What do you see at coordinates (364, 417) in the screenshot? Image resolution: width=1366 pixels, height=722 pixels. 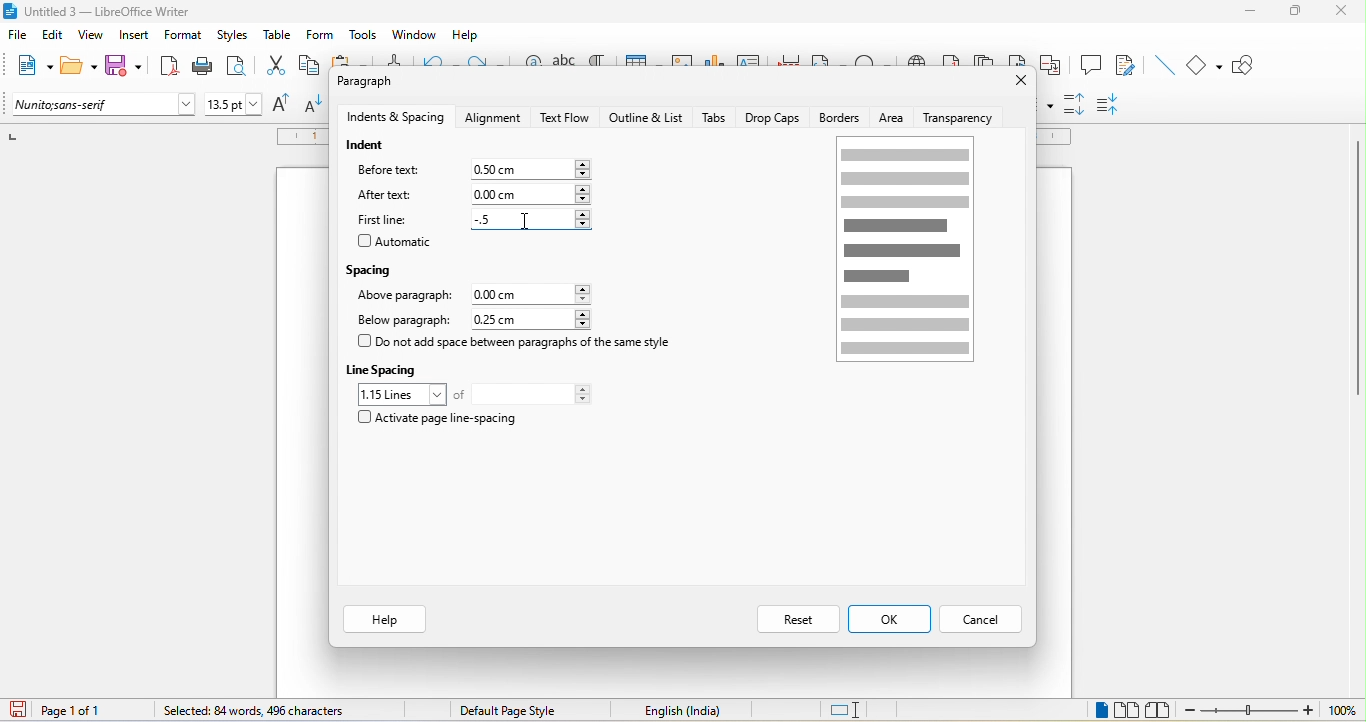 I see `checkbox` at bounding box center [364, 417].